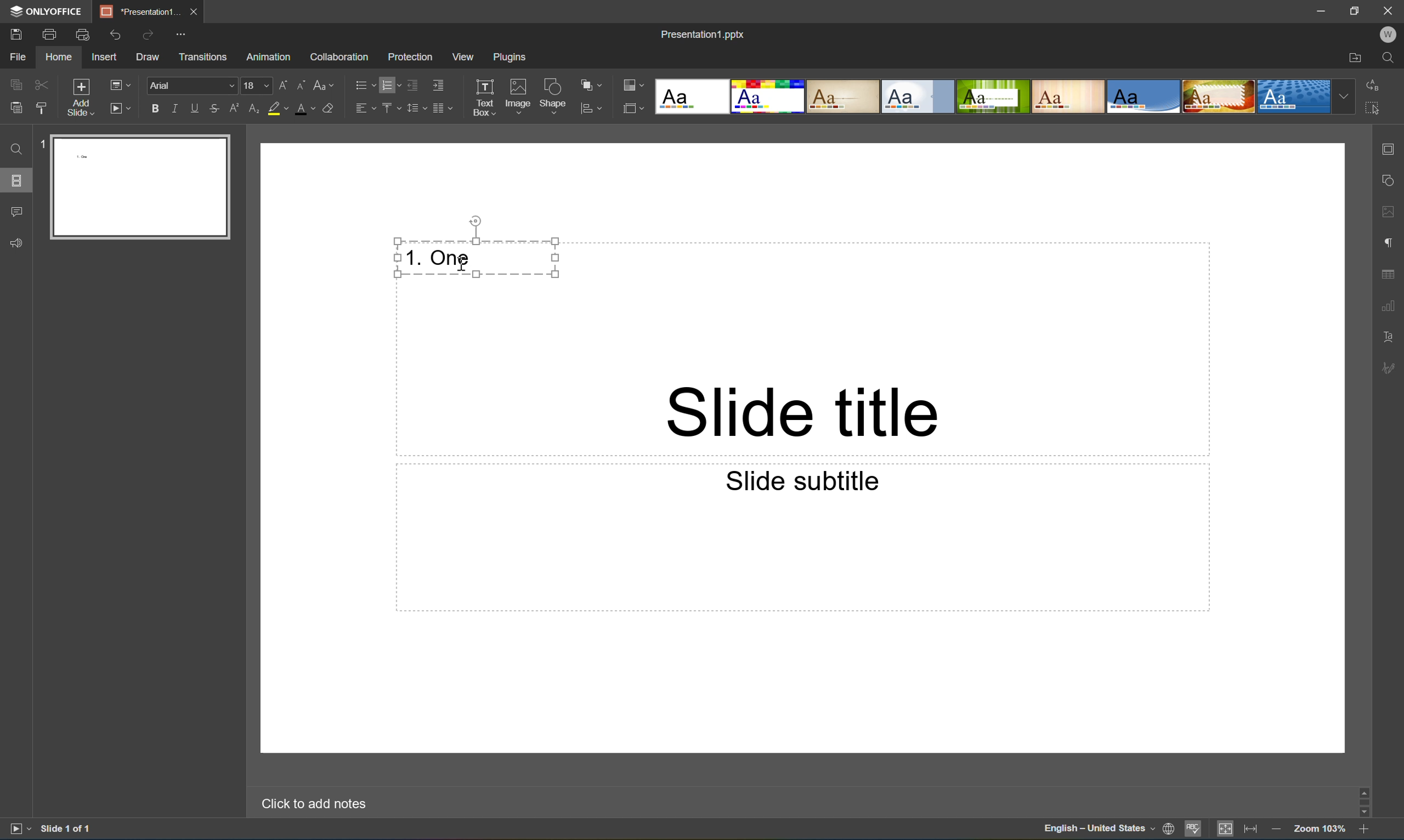  Describe the element at coordinates (121, 37) in the screenshot. I see `Undo` at that location.